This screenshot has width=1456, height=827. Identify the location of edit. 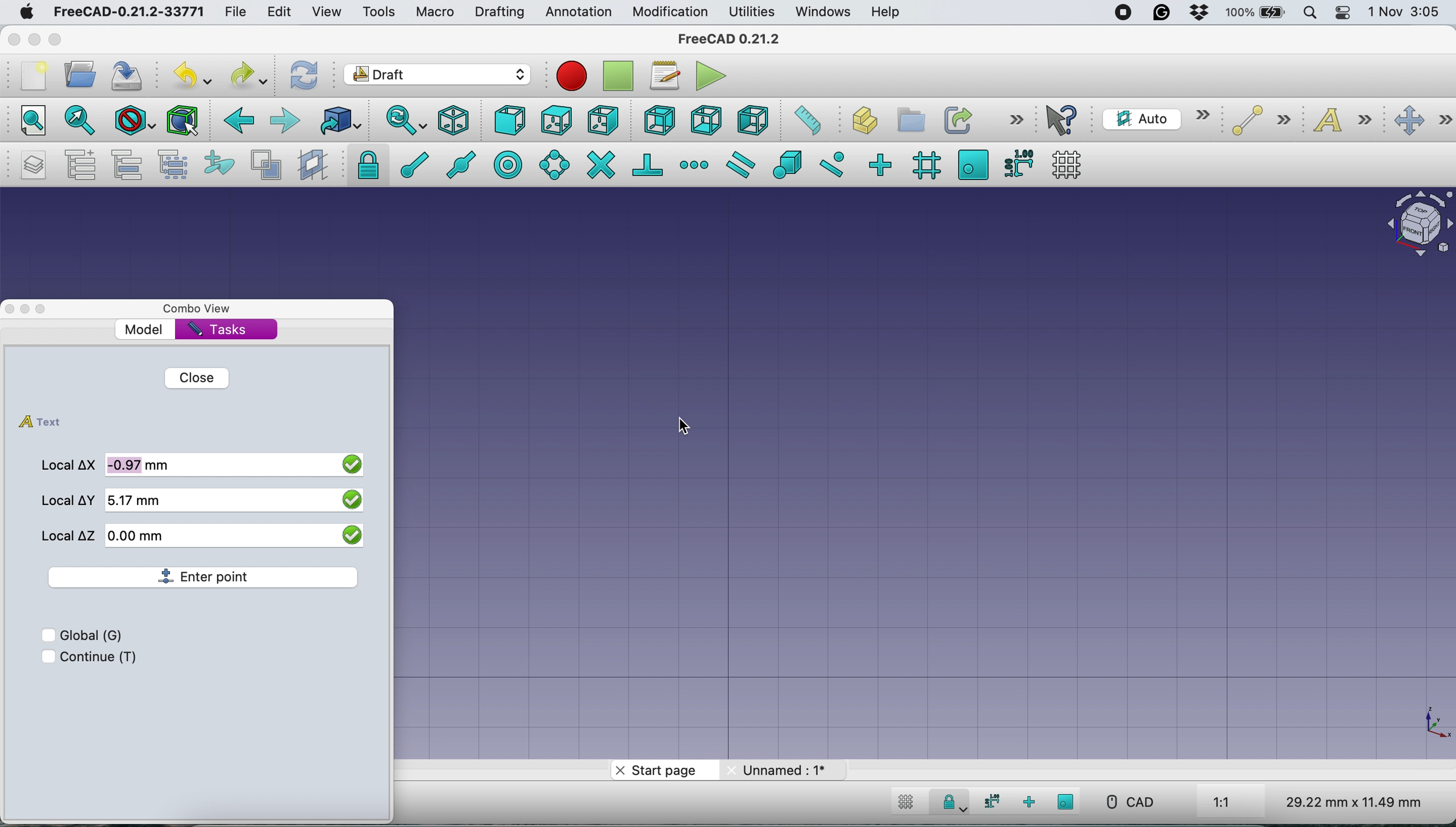
(280, 11).